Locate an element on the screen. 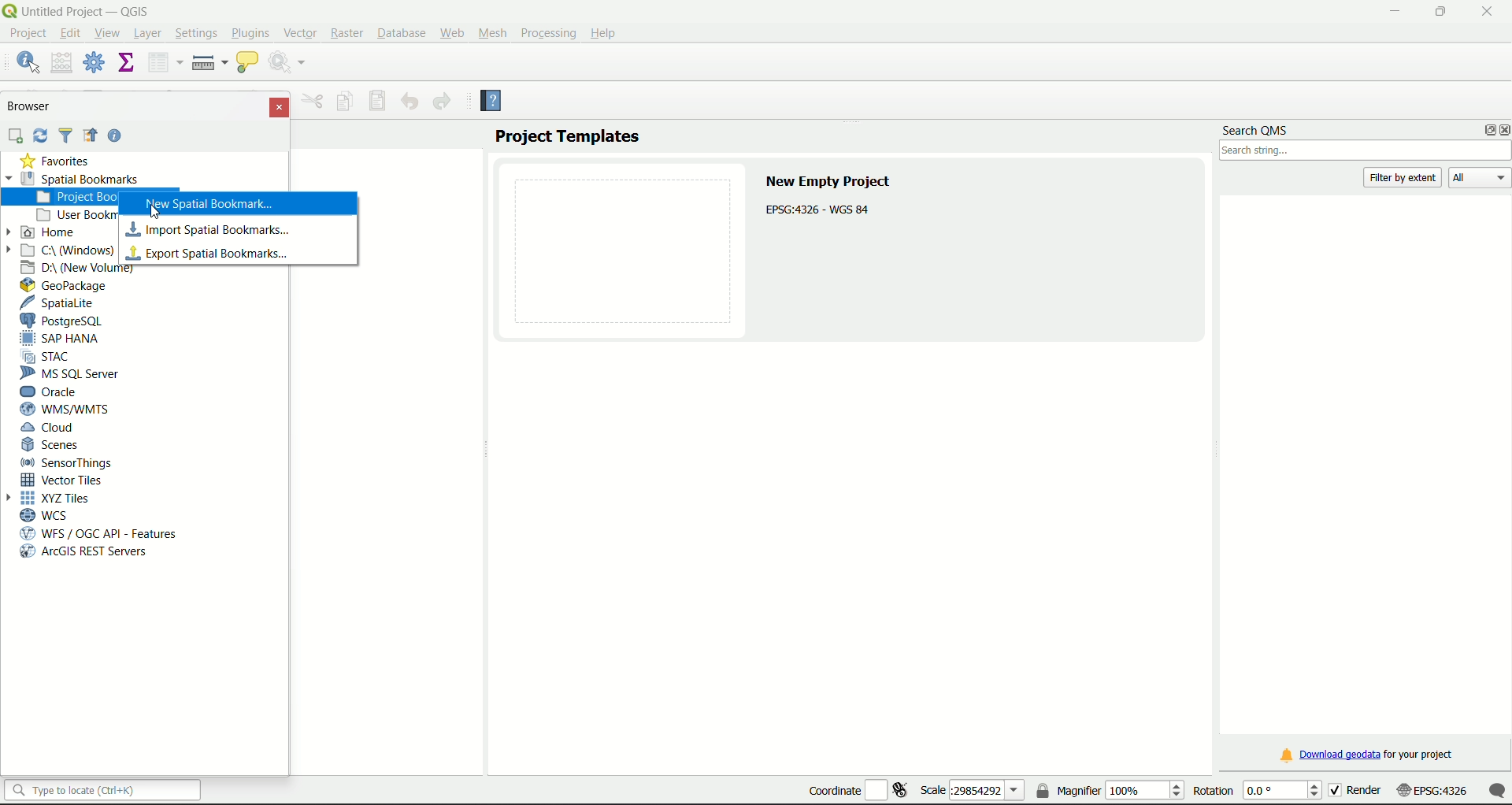 Image resolution: width=1512 pixels, height=805 pixels. Vector Tiles is located at coordinates (66, 480).